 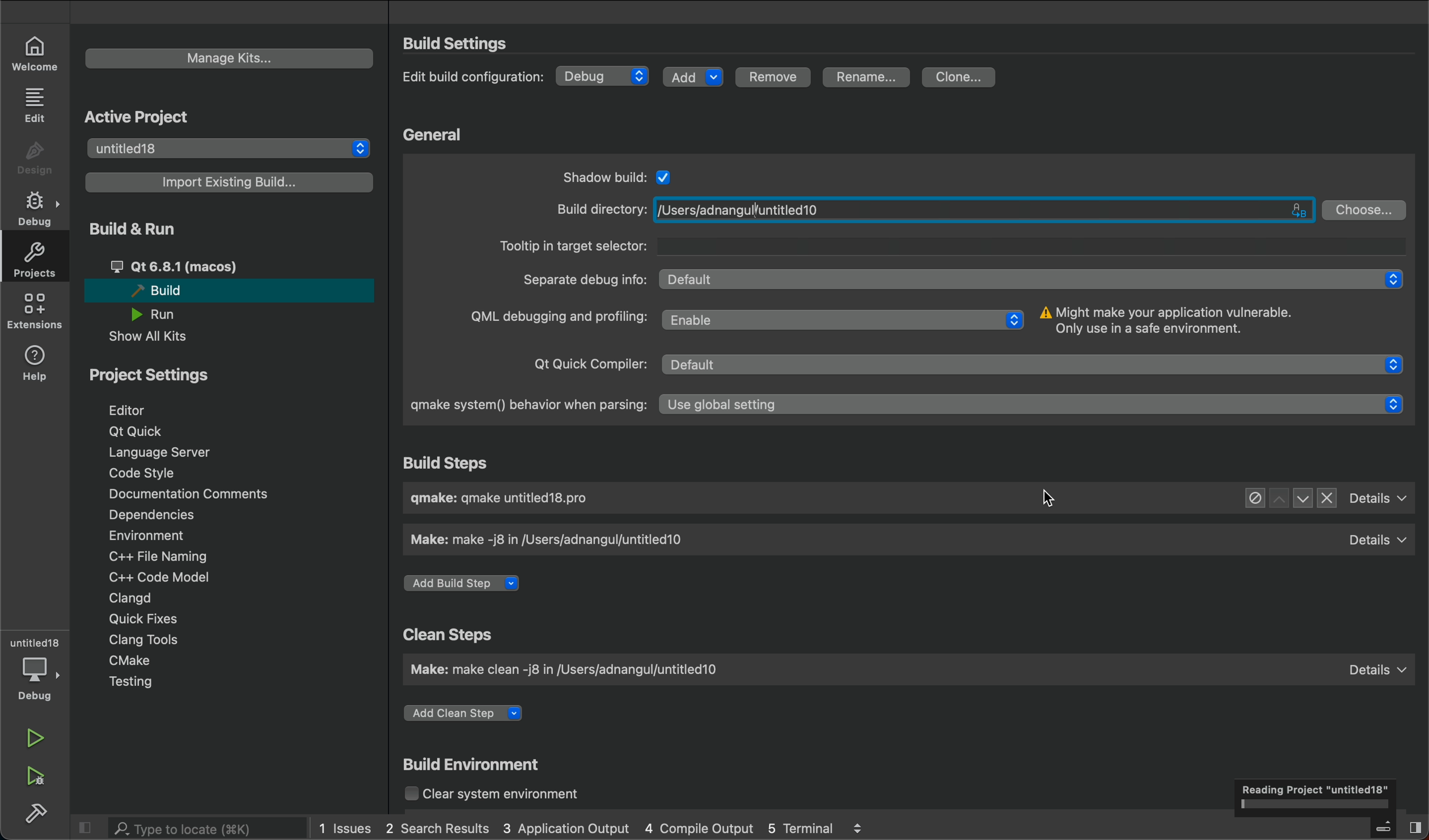 What do you see at coordinates (231, 183) in the screenshot?
I see `import existing build` at bounding box center [231, 183].